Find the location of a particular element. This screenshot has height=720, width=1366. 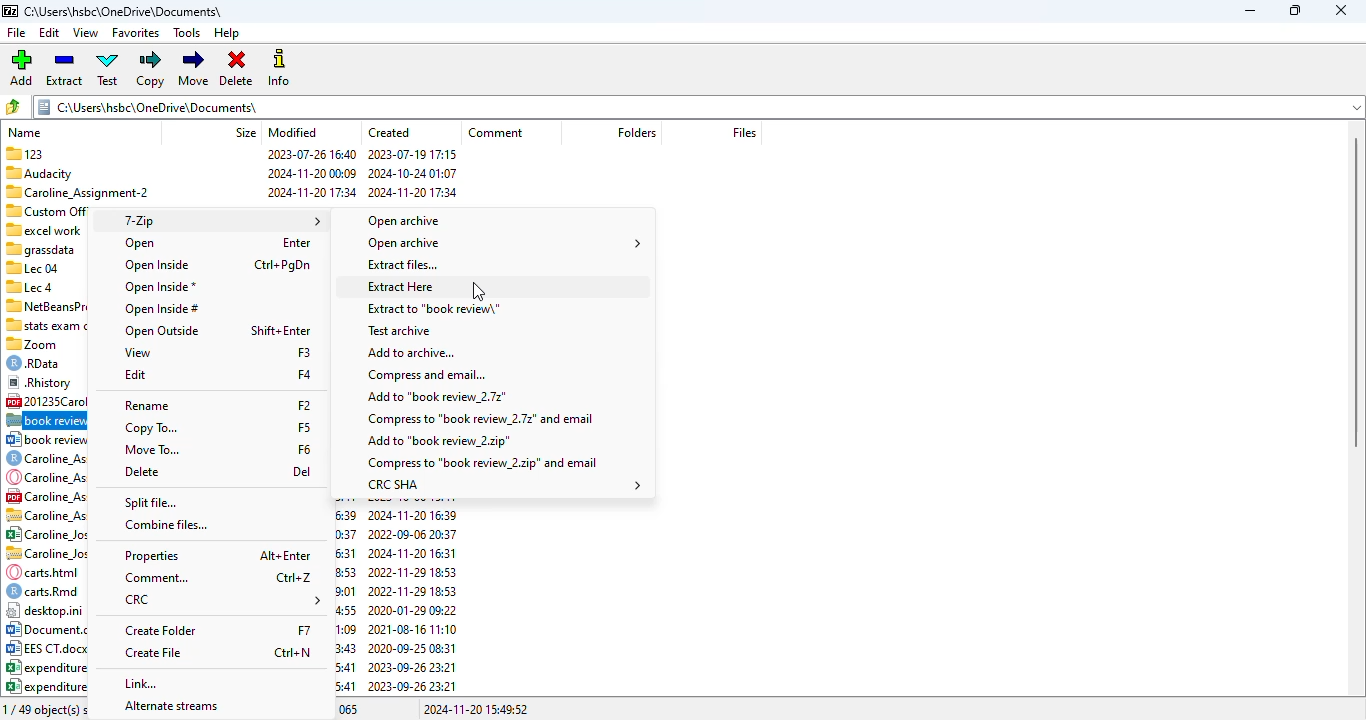

files is located at coordinates (744, 133).